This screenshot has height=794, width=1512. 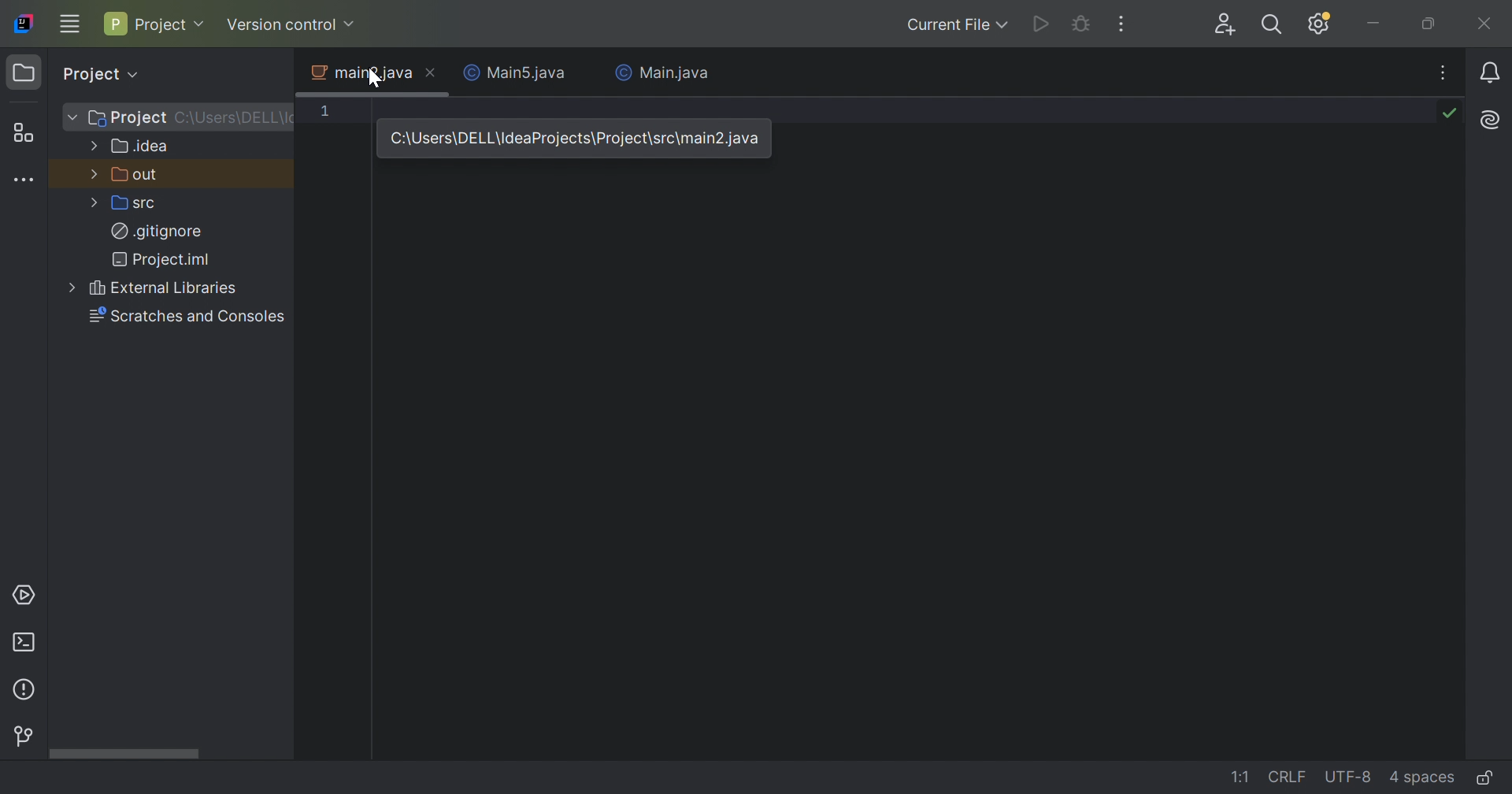 What do you see at coordinates (1421, 778) in the screenshot?
I see `4 spaces` at bounding box center [1421, 778].